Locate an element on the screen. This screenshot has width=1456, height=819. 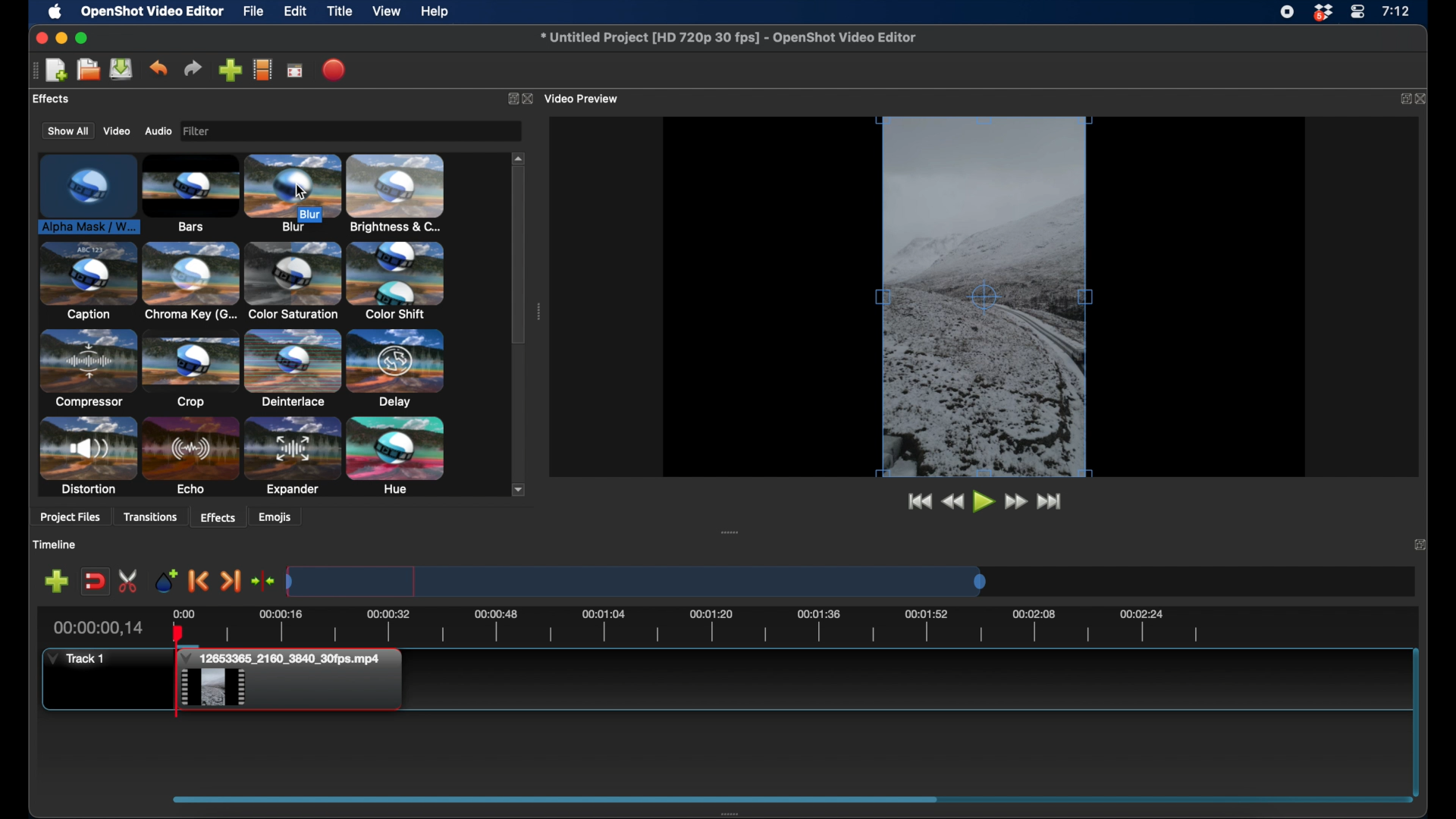
rewind is located at coordinates (954, 503).